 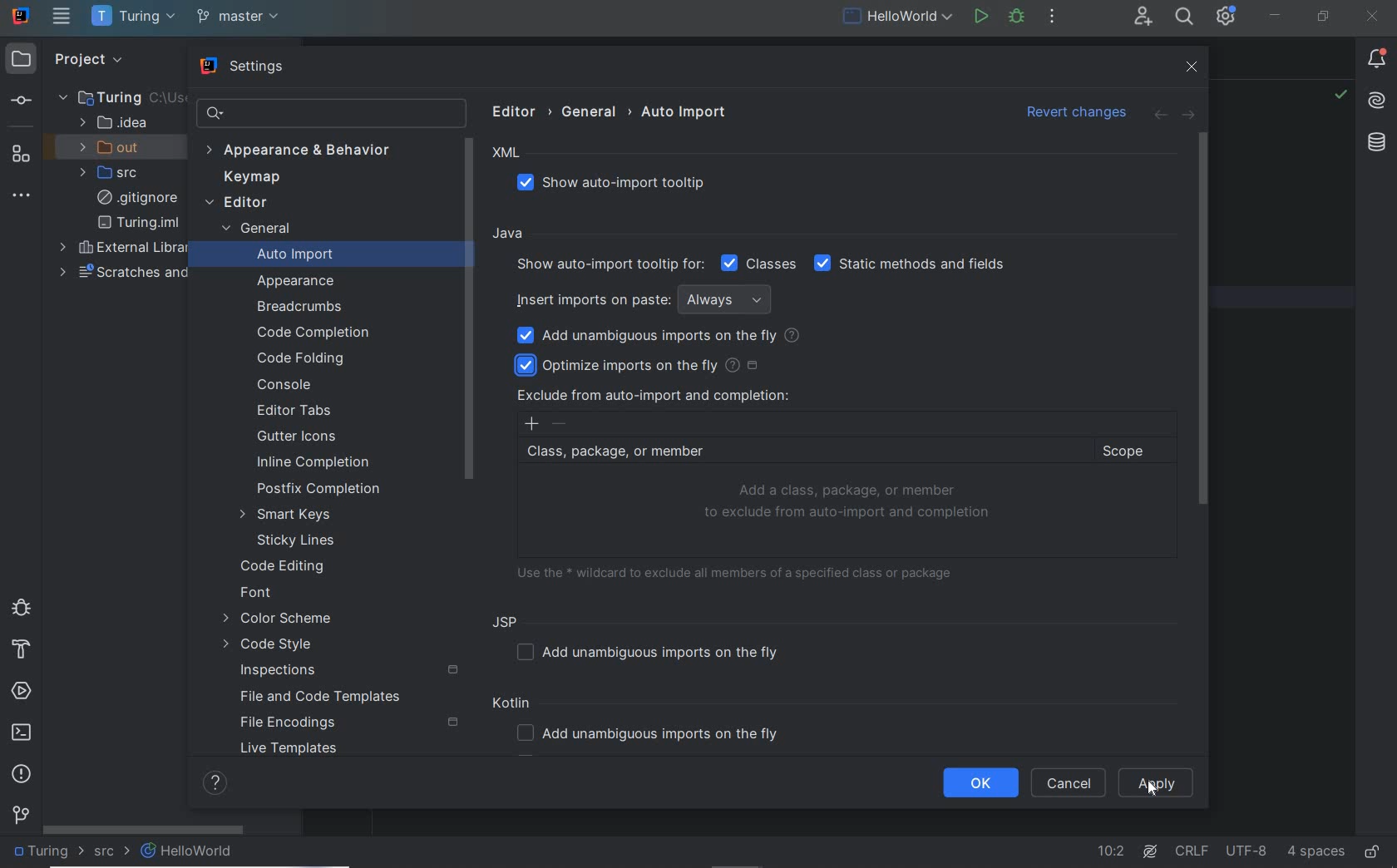 I want to click on forward, so click(x=1187, y=116).